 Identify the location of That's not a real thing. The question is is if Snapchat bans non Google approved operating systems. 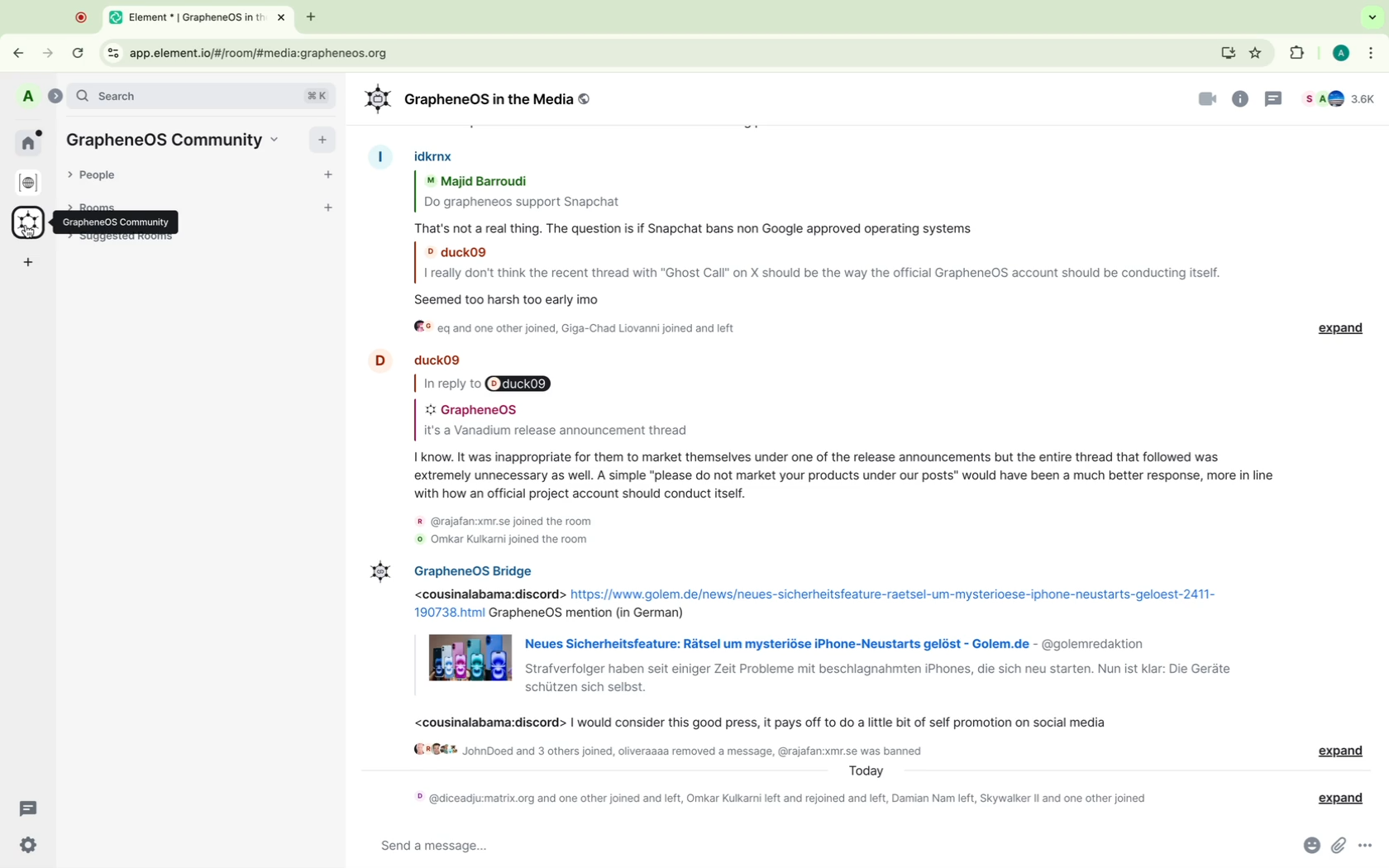
(702, 228).